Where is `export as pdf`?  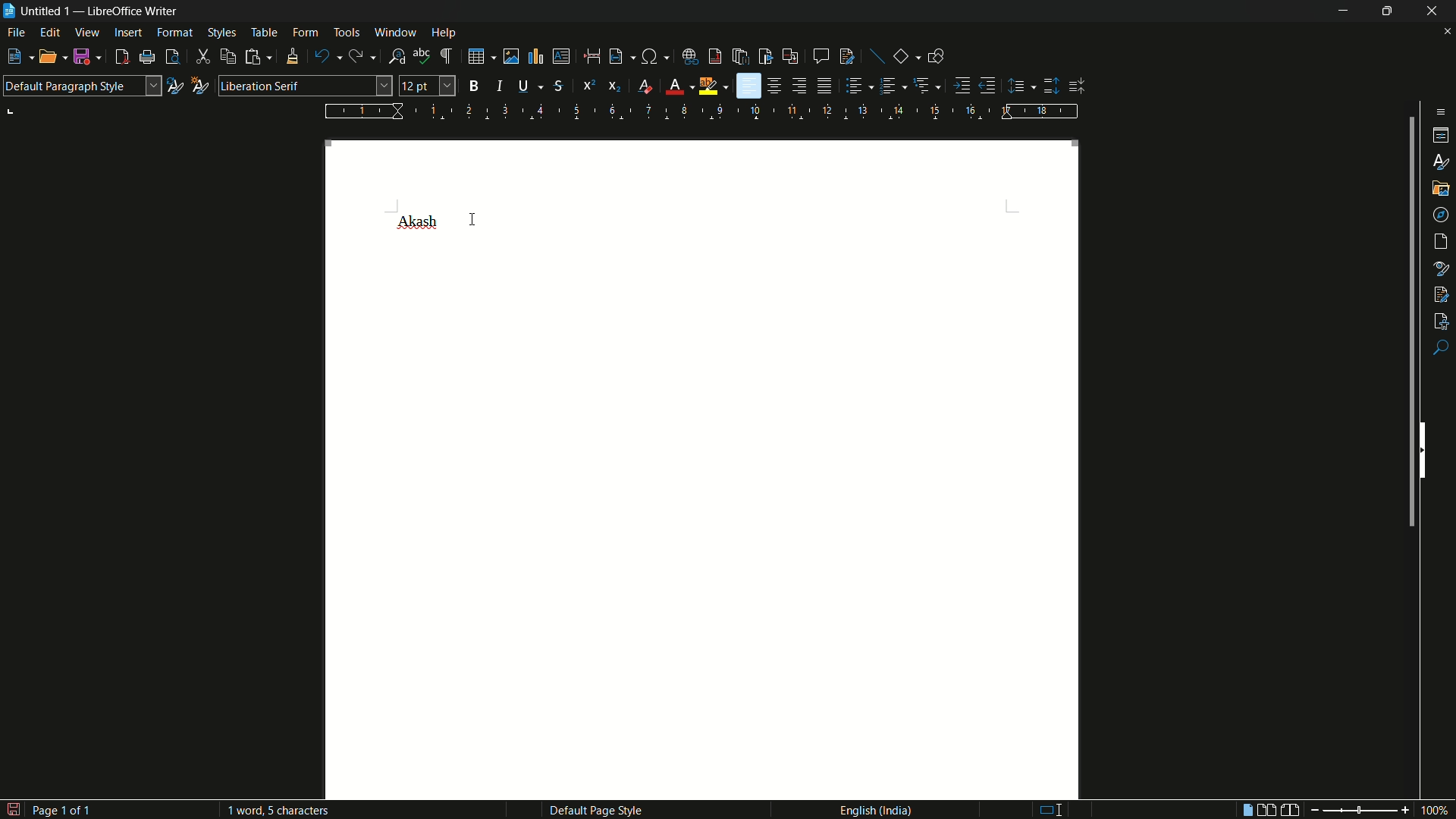
export as pdf is located at coordinates (121, 58).